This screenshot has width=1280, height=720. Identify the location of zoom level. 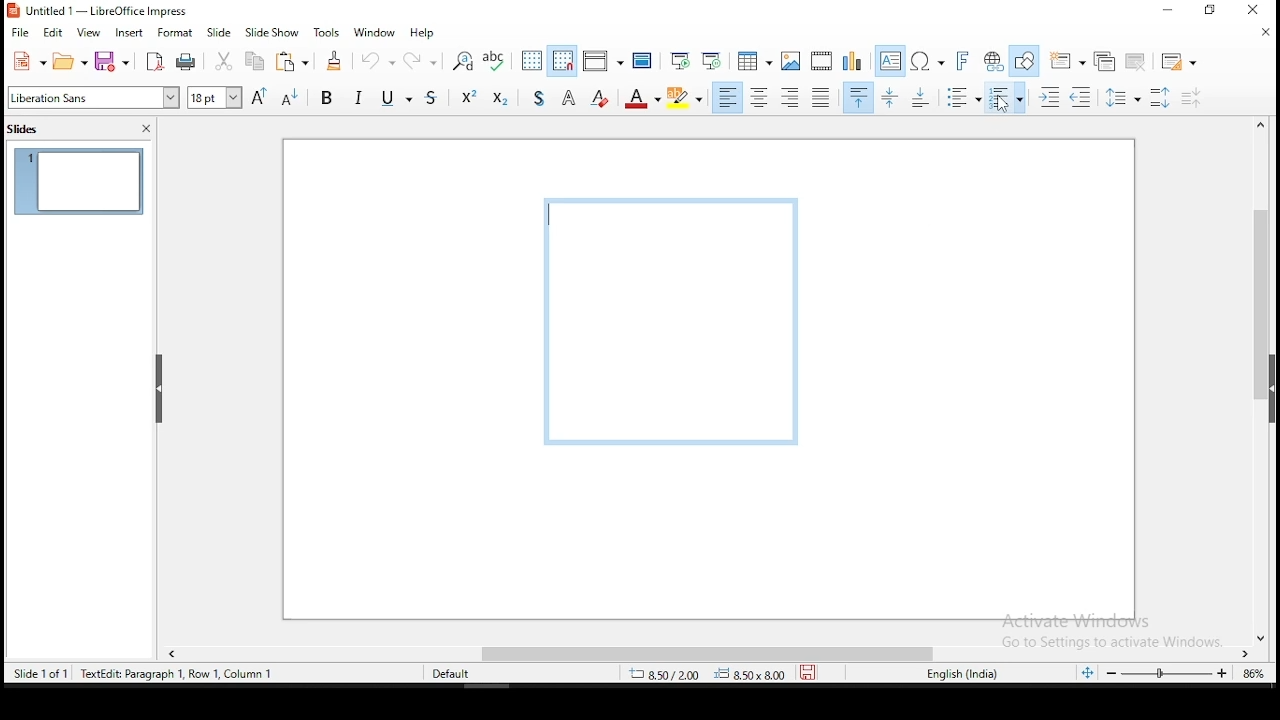
(1249, 674).